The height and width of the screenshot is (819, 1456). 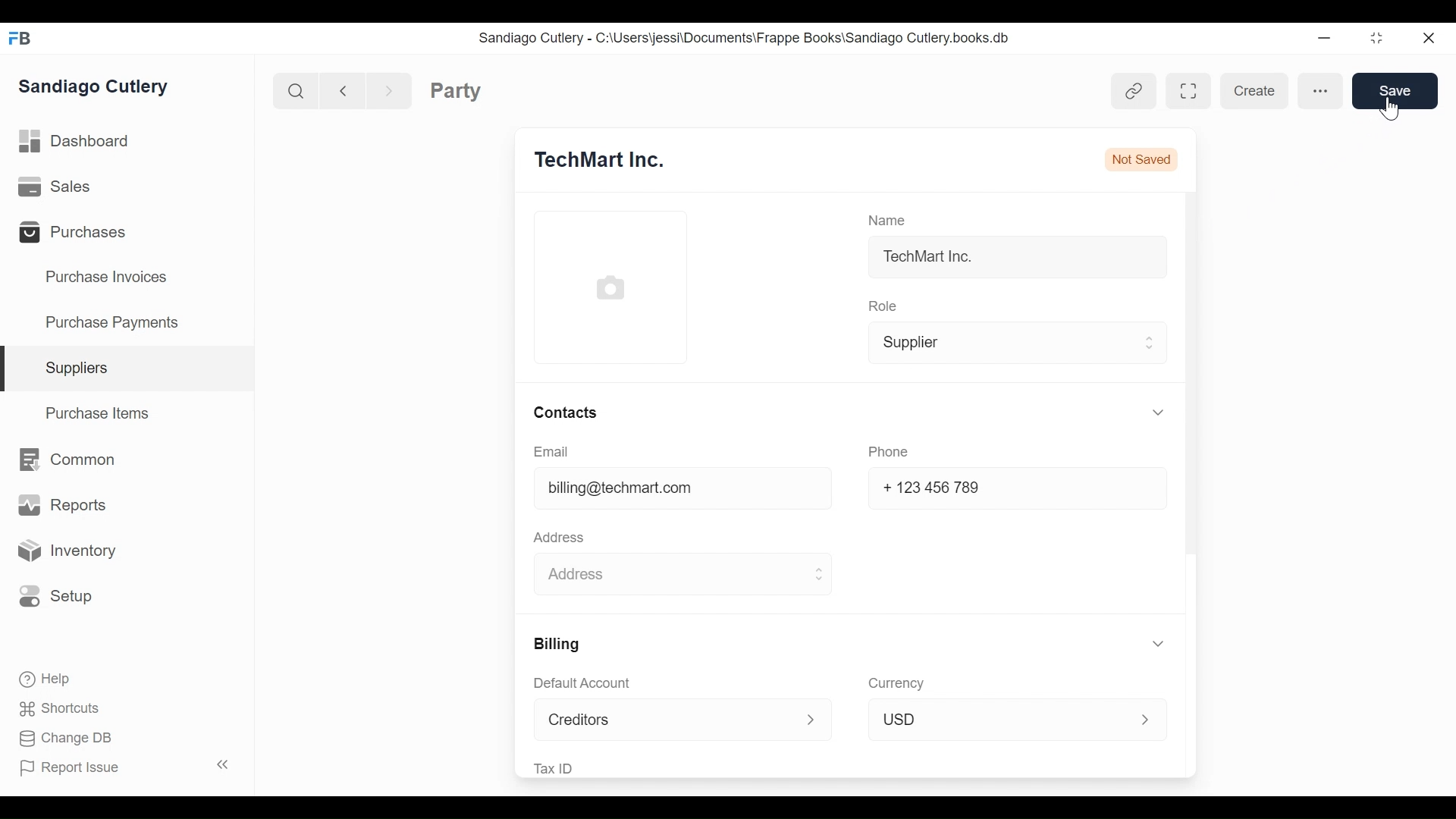 I want to click on Supplier, so click(x=1013, y=344).